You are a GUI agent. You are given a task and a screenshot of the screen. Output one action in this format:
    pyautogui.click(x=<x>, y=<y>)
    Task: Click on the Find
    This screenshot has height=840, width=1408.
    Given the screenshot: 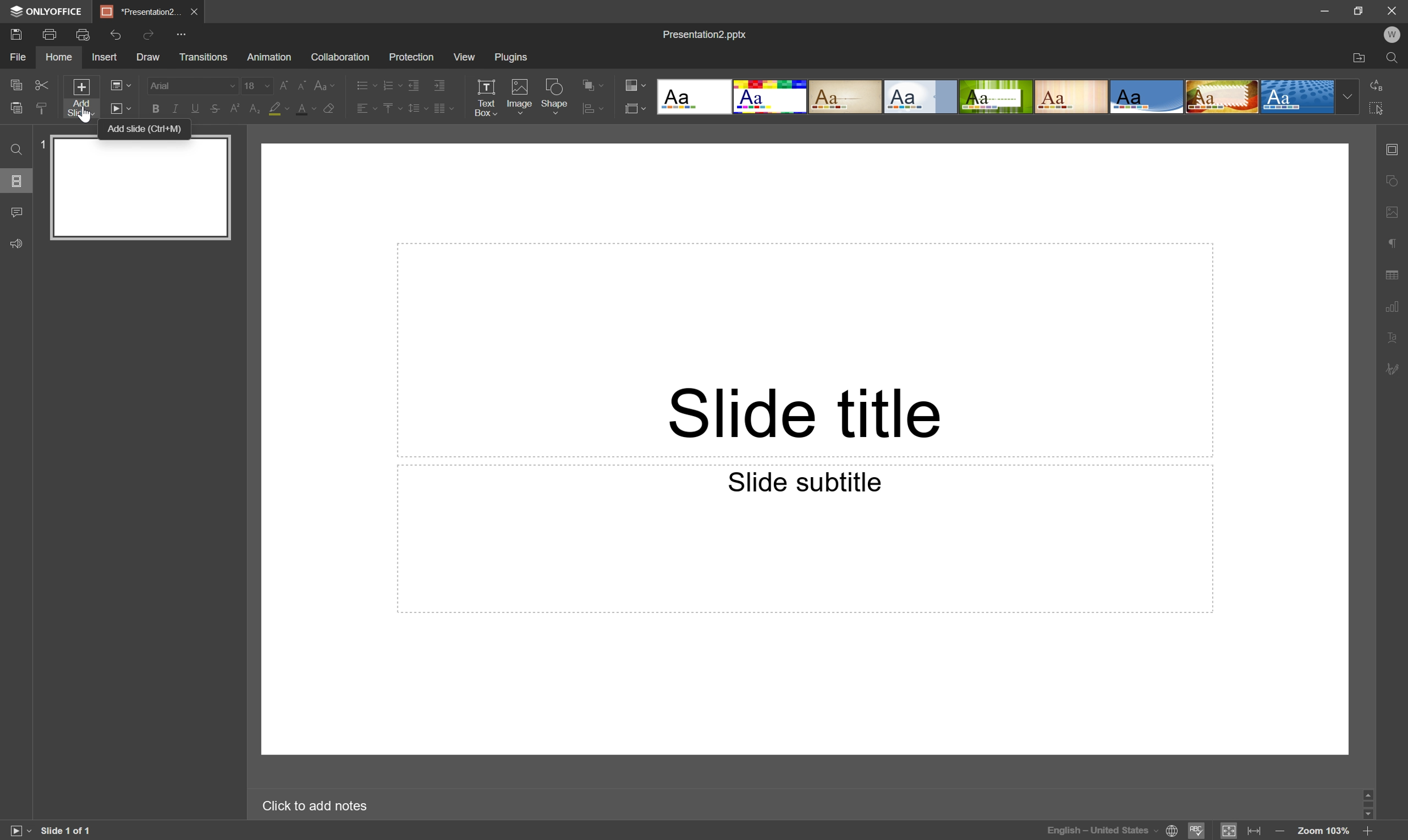 What is the action you would take?
    pyautogui.click(x=15, y=150)
    